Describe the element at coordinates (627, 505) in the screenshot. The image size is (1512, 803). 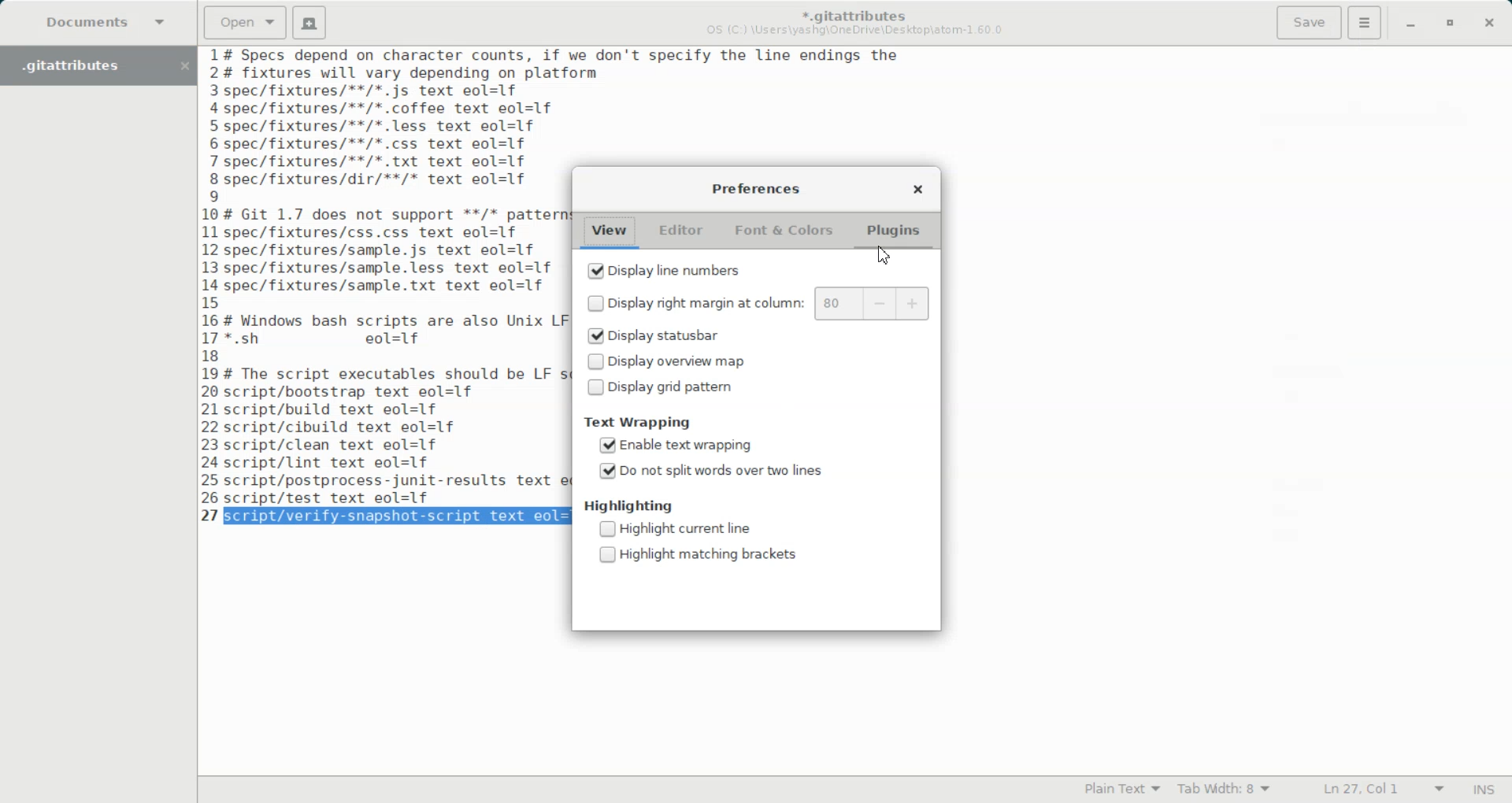
I see `Highlighting` at that location.